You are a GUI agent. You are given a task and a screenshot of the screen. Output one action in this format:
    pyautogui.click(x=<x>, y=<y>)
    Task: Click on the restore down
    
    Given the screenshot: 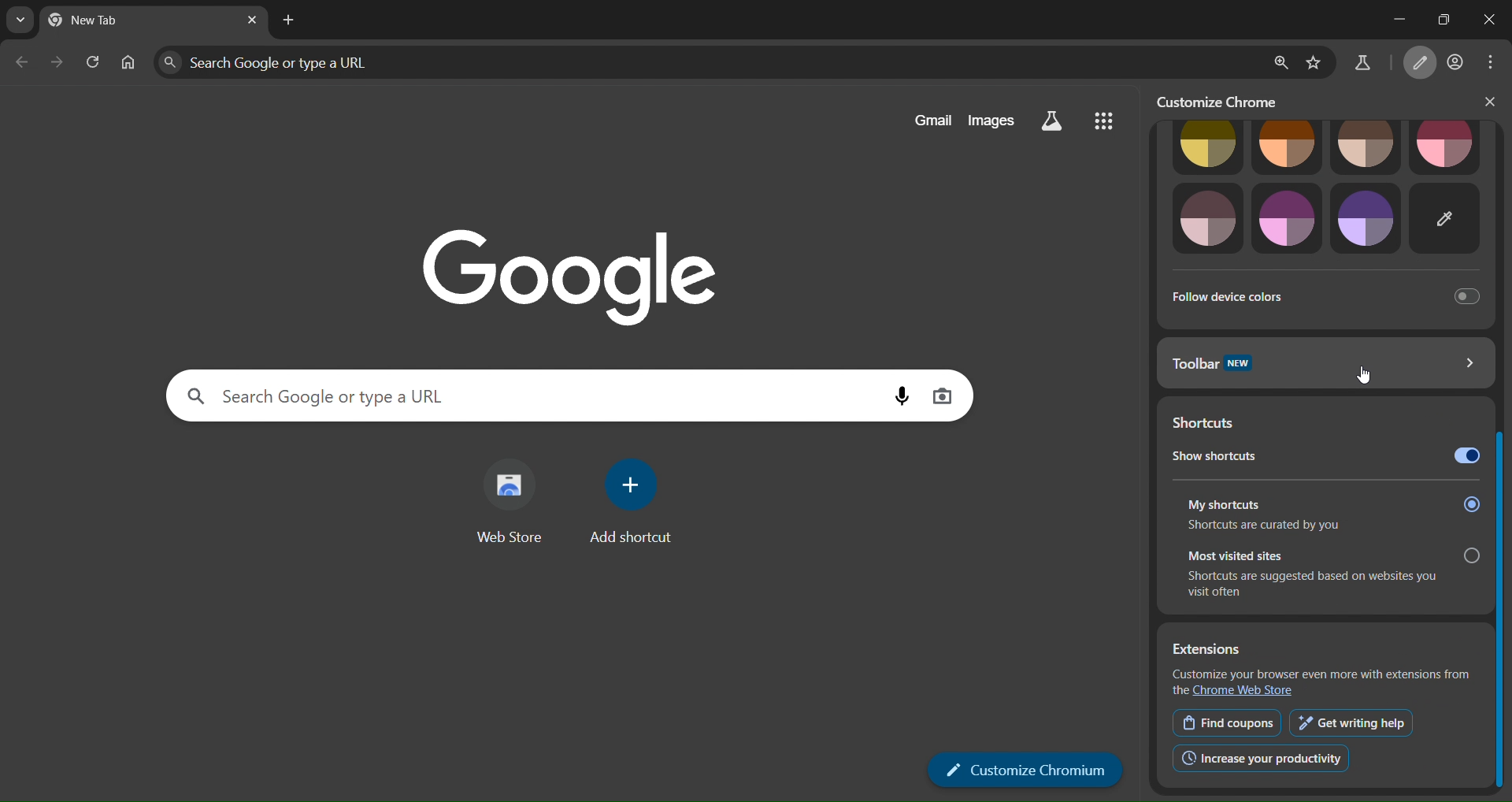 What is the action you would take?
    pyautogui.click(x=1445, y=20)
    